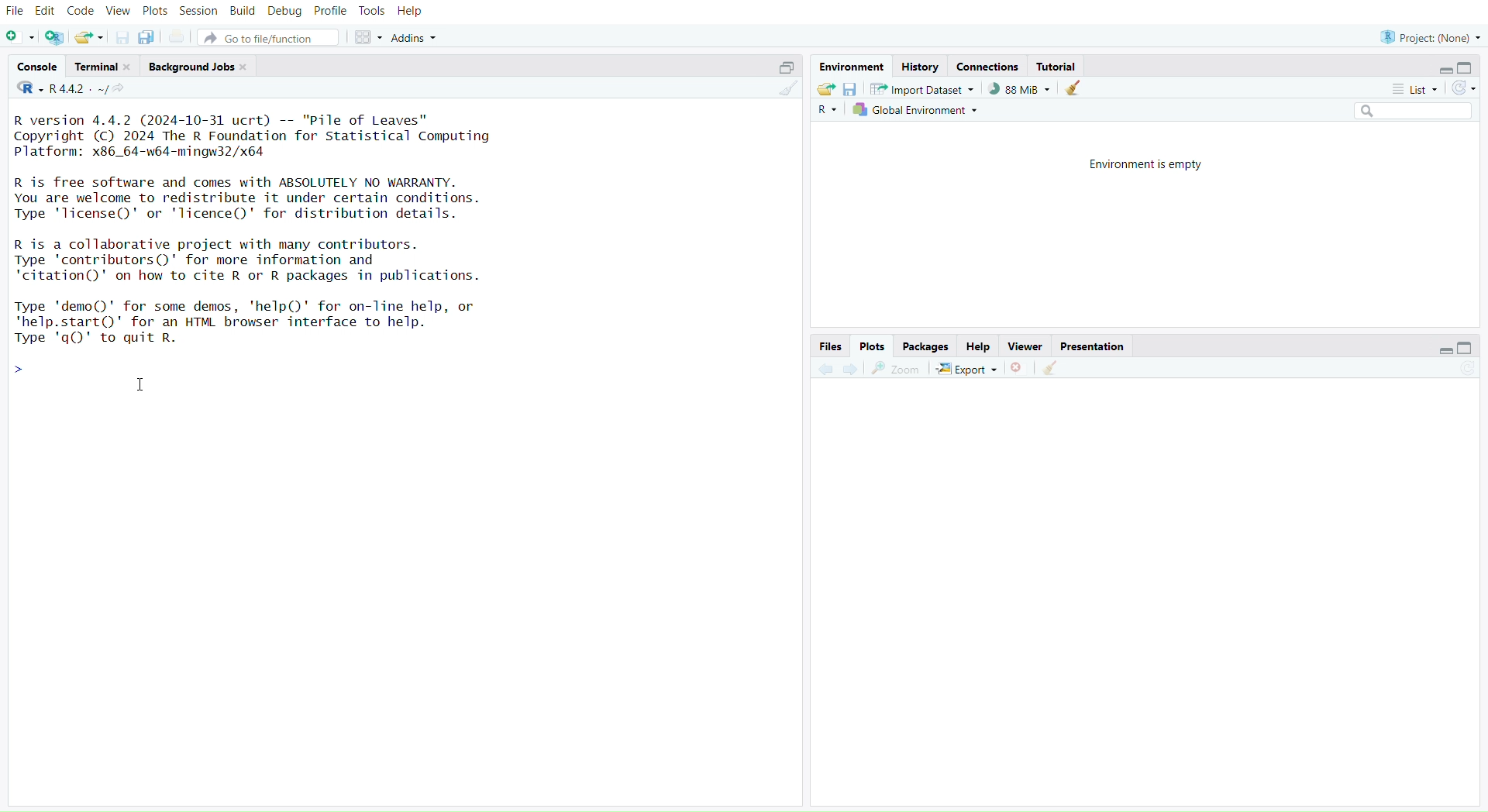 The width and height of the screenshot is (1488, 812). What do you see at coordinates (272, 40) in the screenshot?
I see `go to file/function` at bounding box center [272, 40].